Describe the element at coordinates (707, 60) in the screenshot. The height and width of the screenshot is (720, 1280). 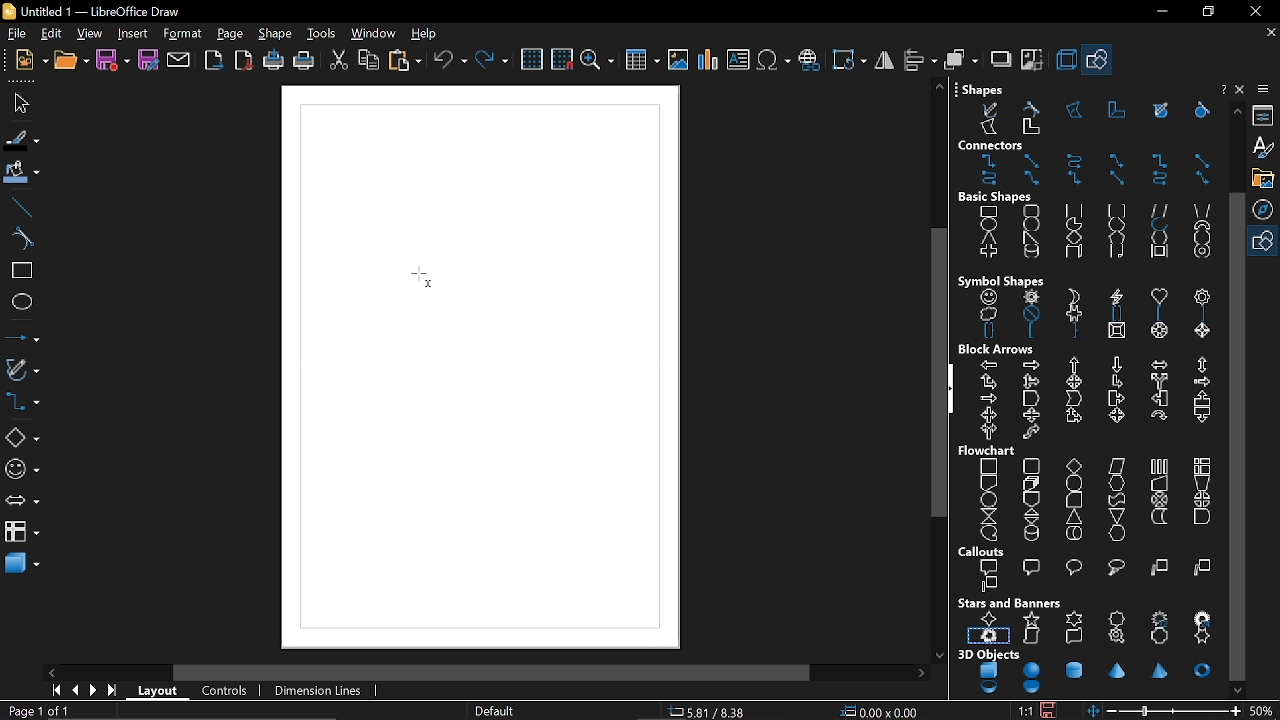
I see `Insert chart` at that location.